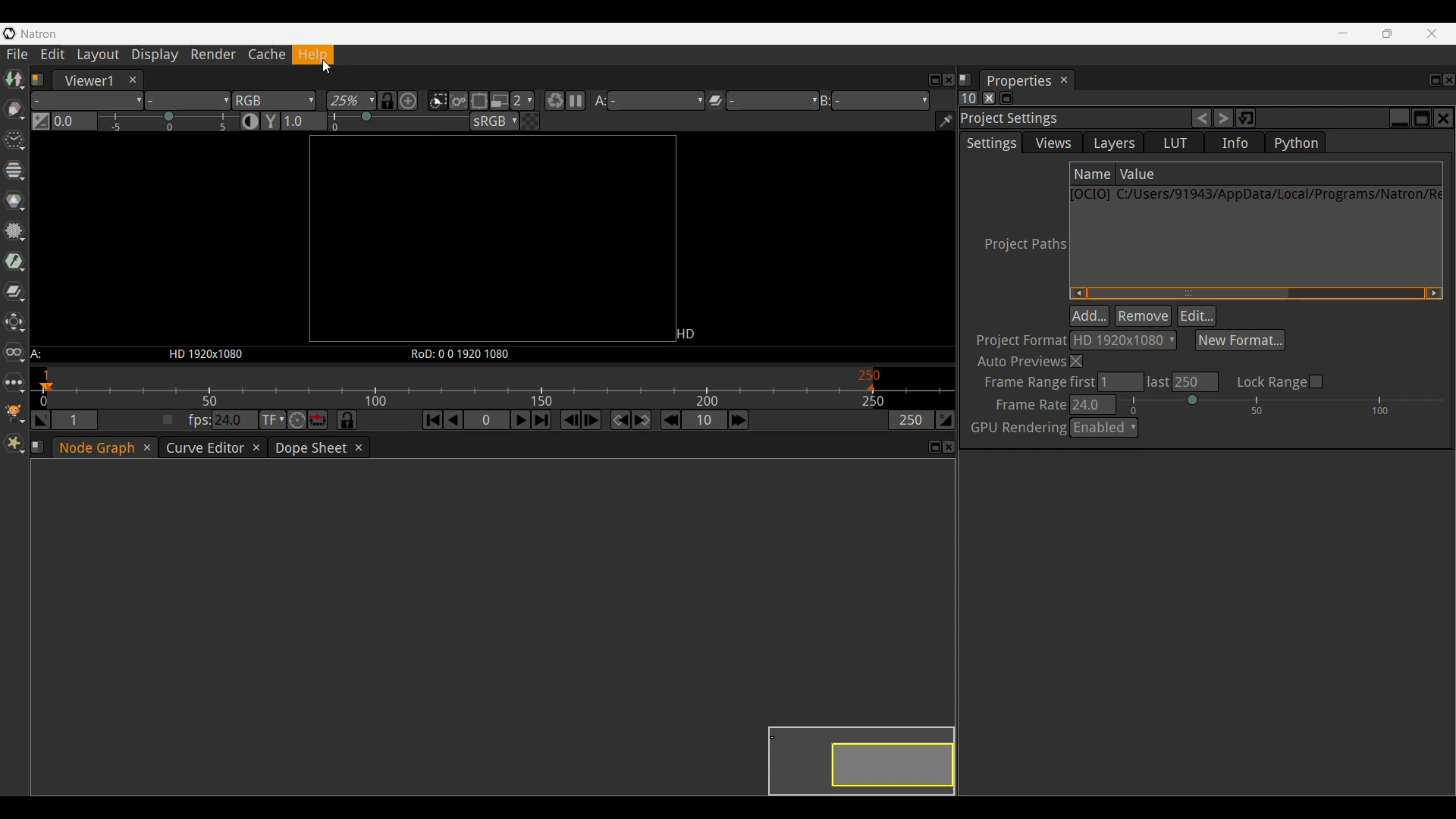 This screenshot has width=1456, height=819. What do you see at coordinates (85, 80) in the screenshot?
I see `Viewer1` at bounding box center [85, 80].